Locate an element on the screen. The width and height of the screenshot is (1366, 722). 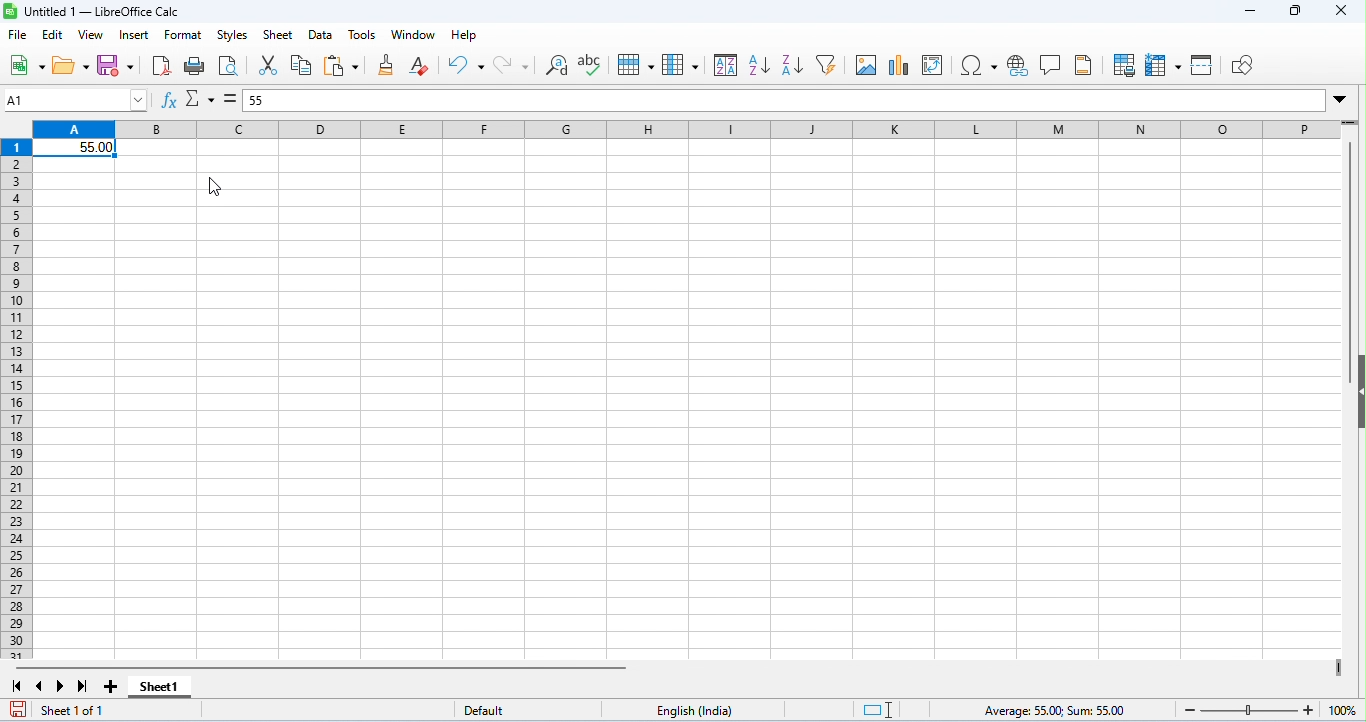
minimize is located at coordinates (1247, 13).